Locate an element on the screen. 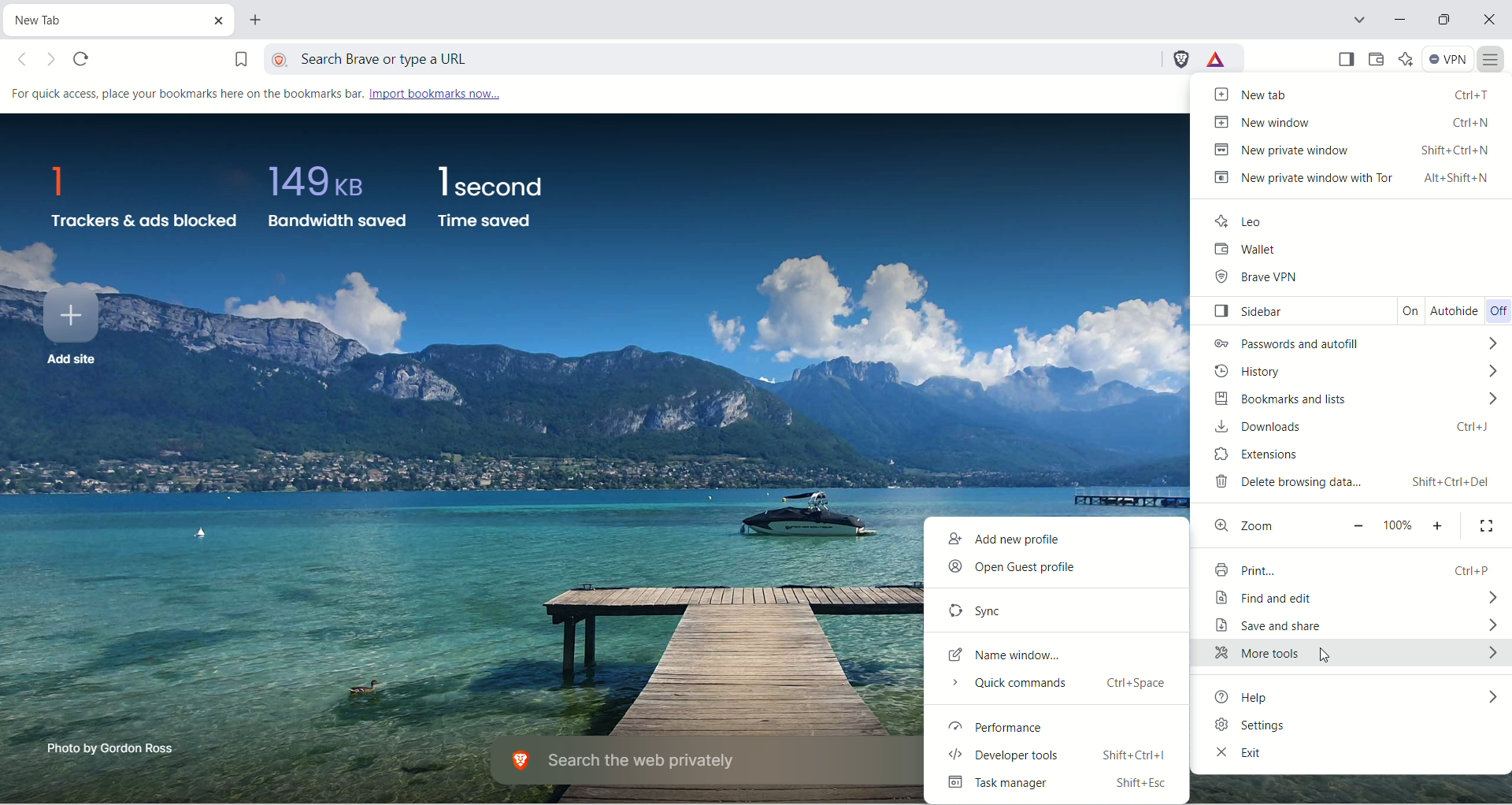 The image size is (1512, 805). sidebar is located at coordinates (1359, 311).